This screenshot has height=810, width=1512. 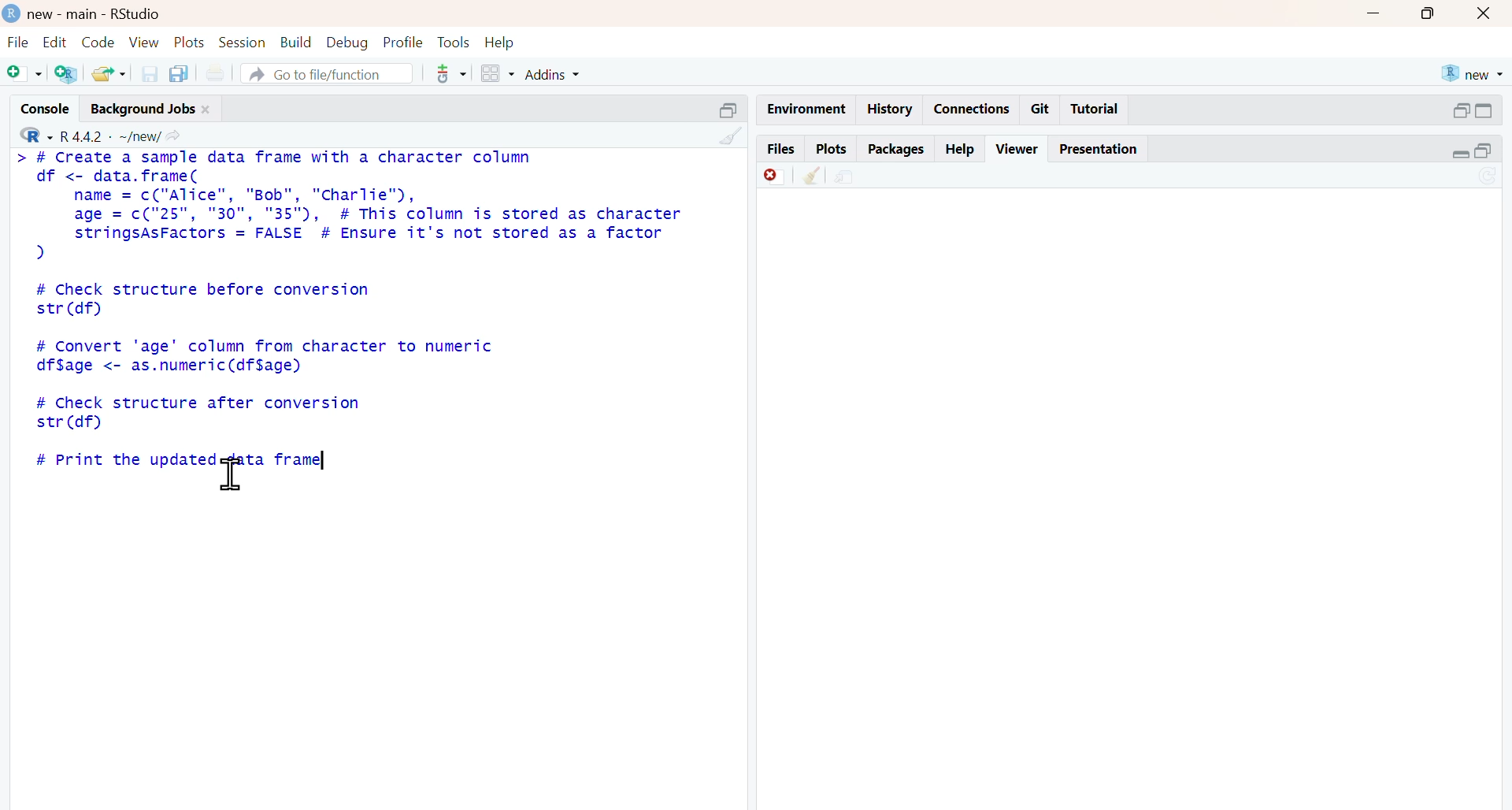 What do you see at coordinates (1460, 110) in the screenshot?
I see `open in separate window` at bounding box center [1460, 110].